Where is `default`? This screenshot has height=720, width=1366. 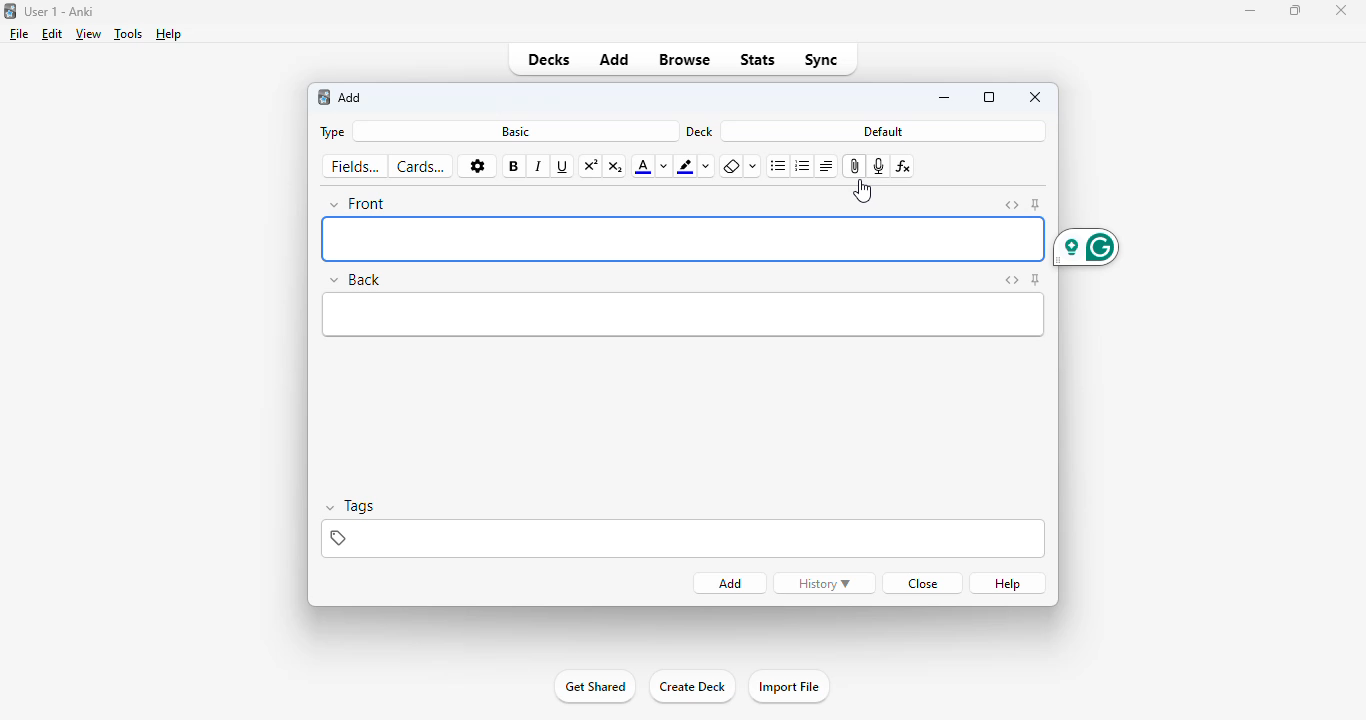
default is located at coordinates (883, 131).